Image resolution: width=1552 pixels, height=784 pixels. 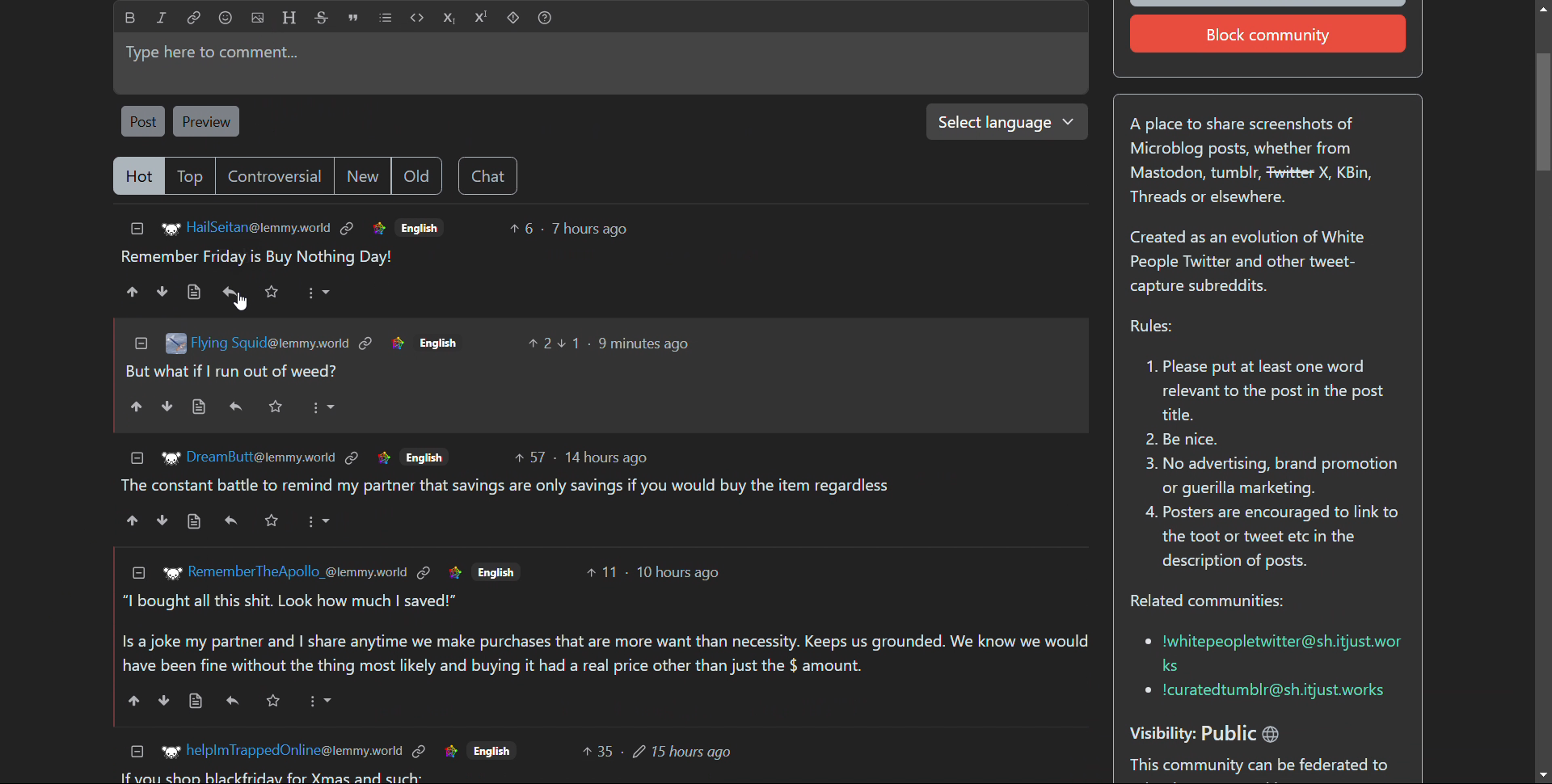 I want to click on More, so click(x=326, y=407).